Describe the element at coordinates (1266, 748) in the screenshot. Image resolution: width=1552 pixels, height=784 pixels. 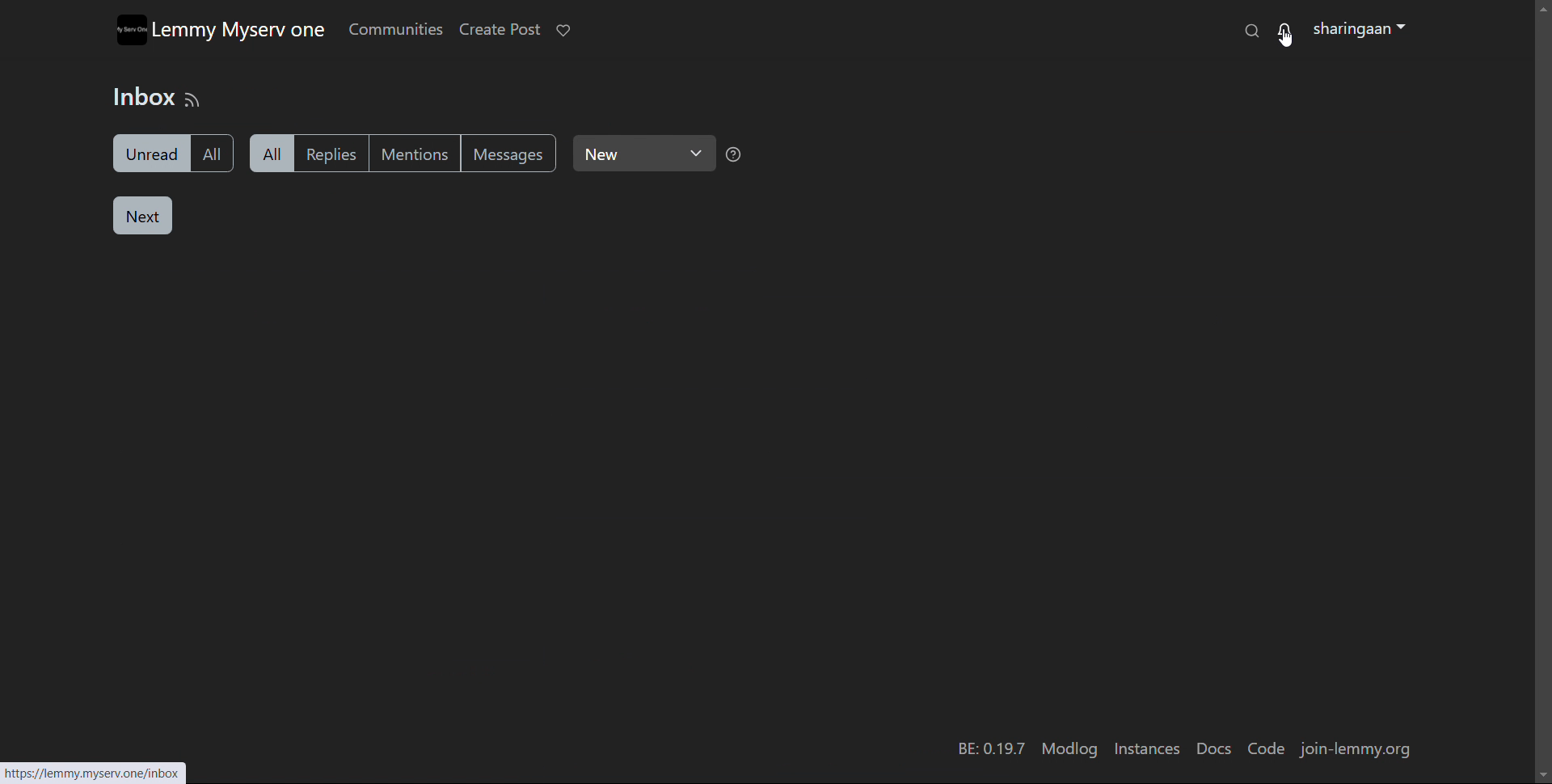
I see `code` at that location.